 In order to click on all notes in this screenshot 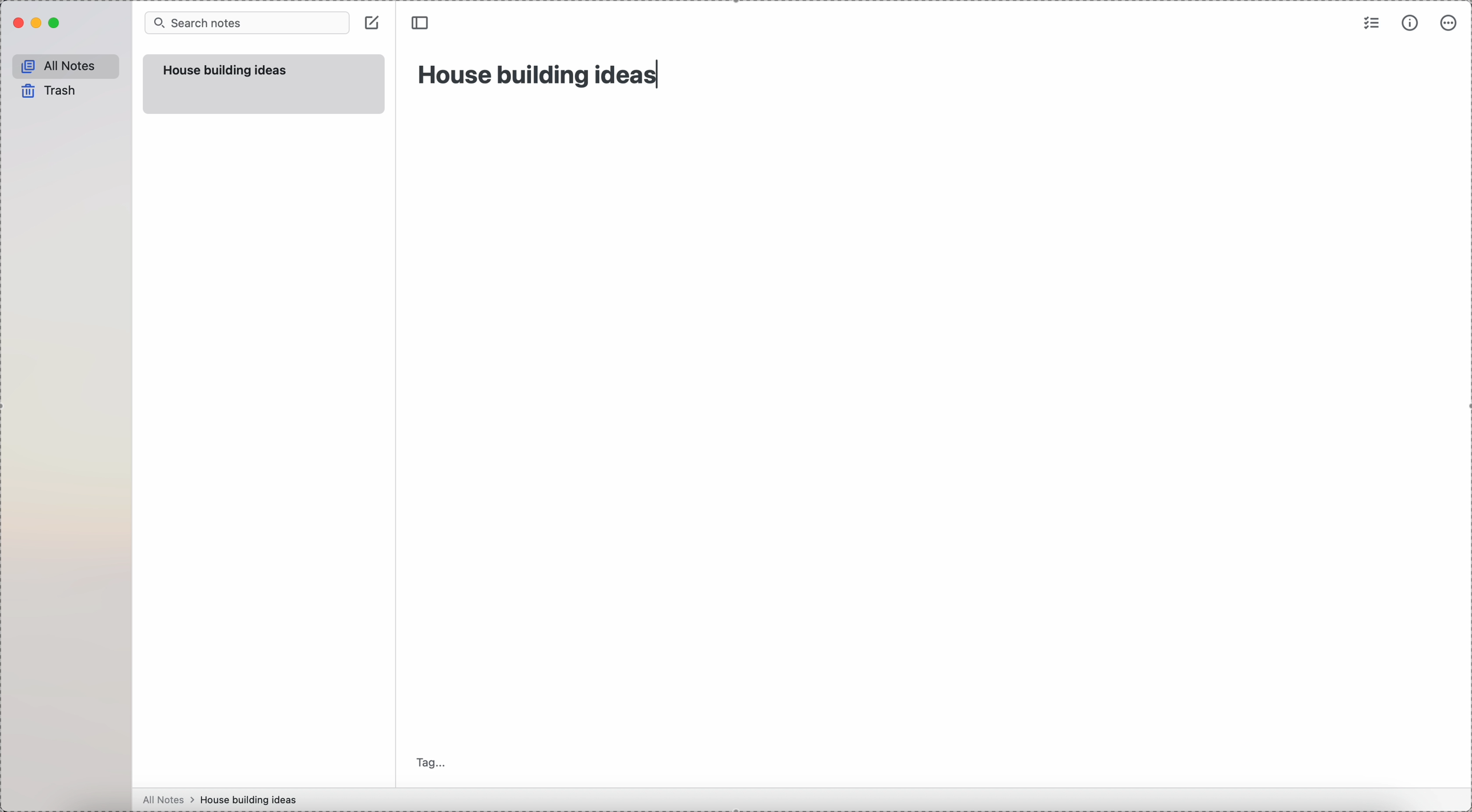, I will do `click(66, 66)`.